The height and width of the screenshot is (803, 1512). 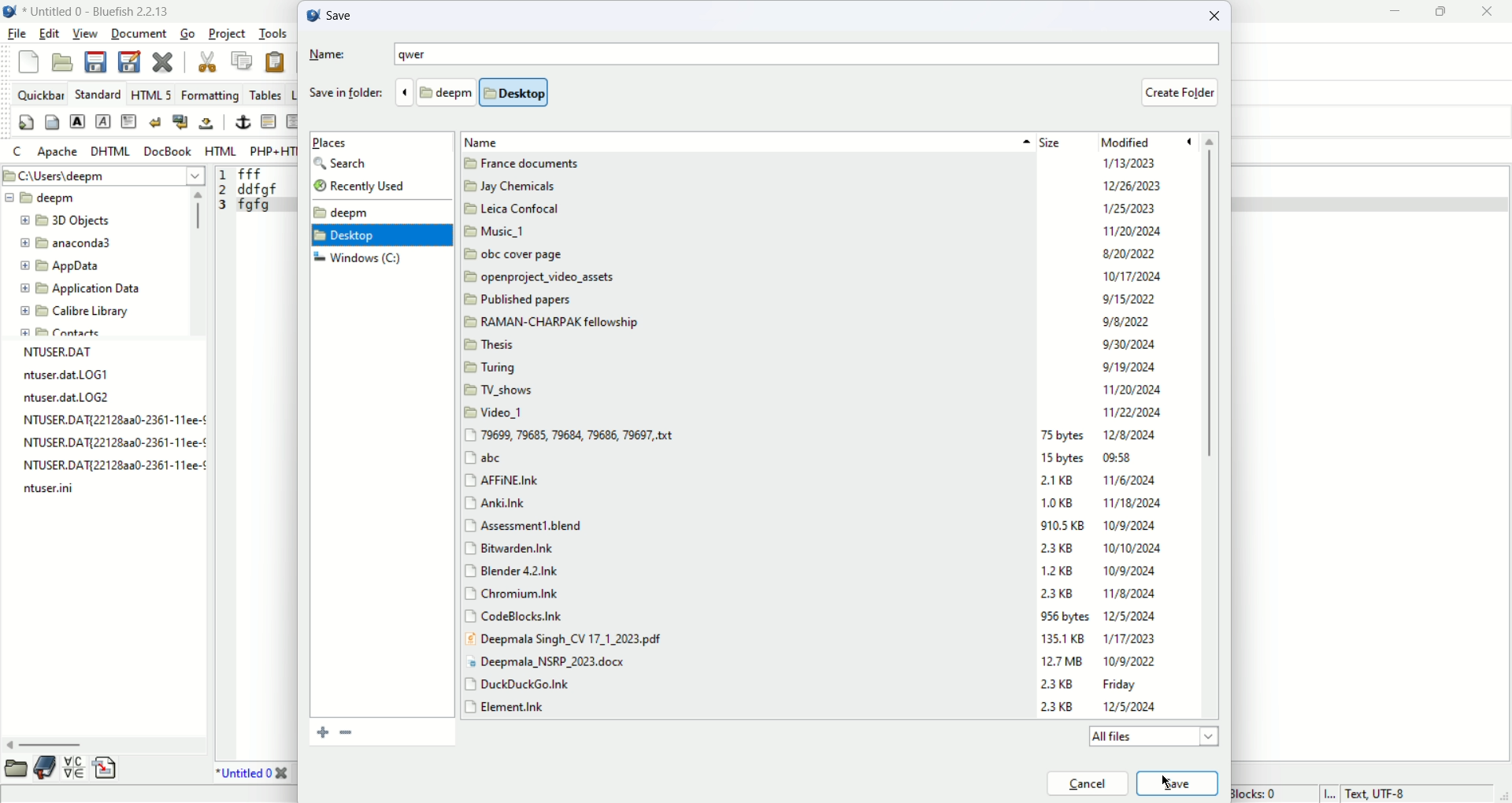 What do you see at coordinates (497, 140) in the screenshot?
I see `name` at bounding box center [497, 140].